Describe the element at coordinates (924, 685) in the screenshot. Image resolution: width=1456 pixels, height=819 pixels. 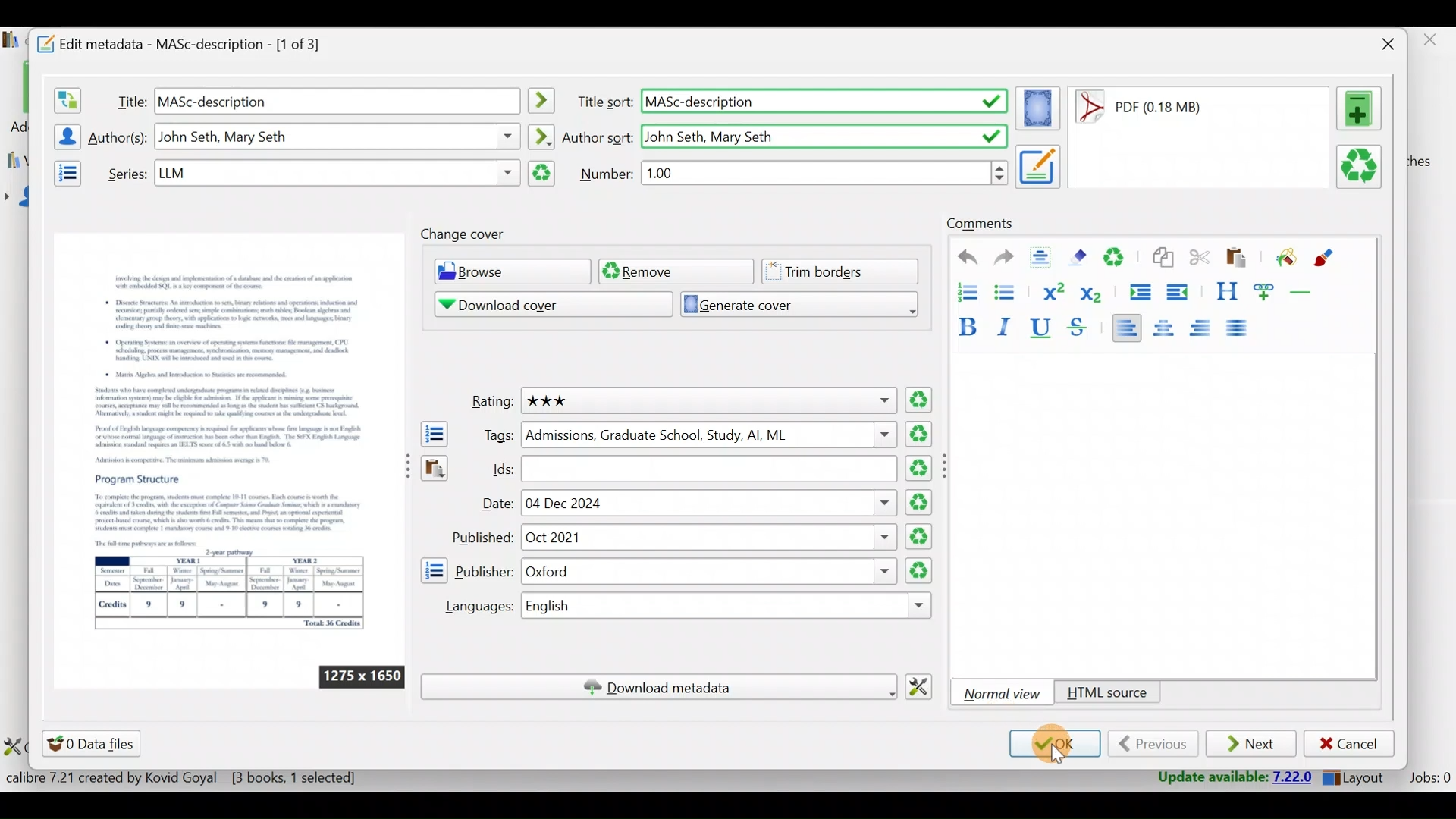
I see `Change how Calibre downloads data` at that location.